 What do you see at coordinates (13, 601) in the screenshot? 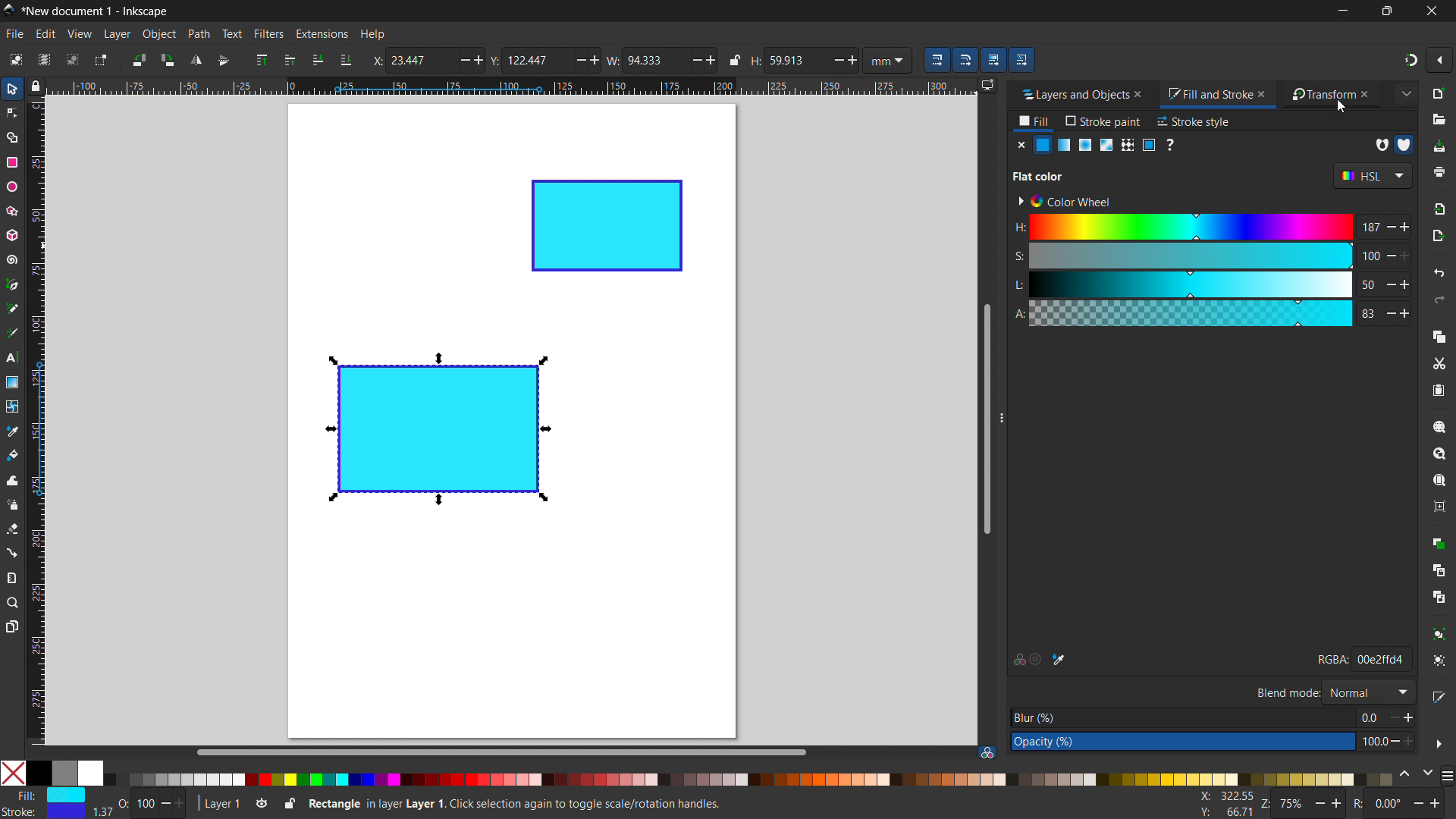
I see `zoom tool` at bounding box center [13, 601].